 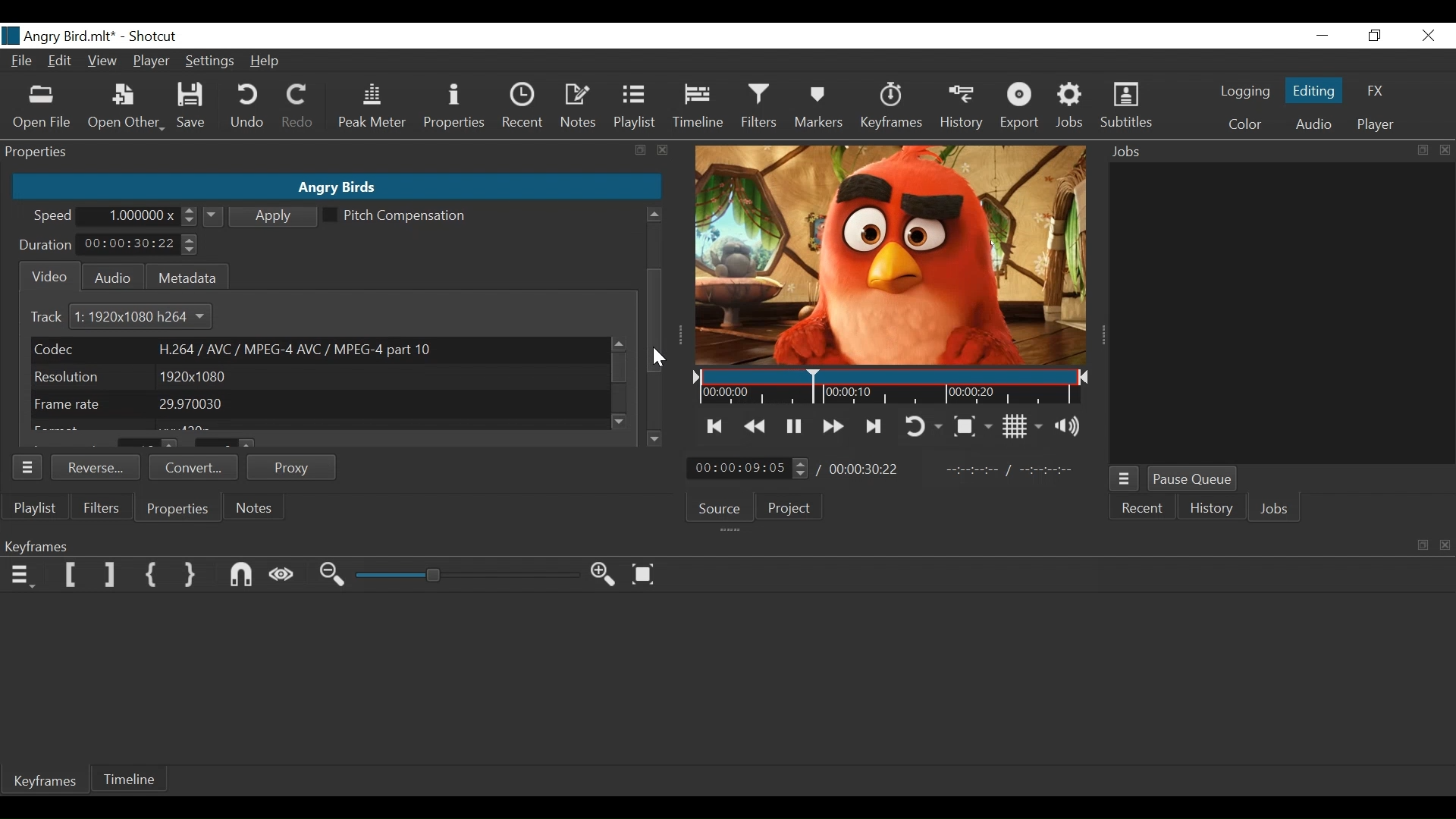 What do you see at coordinates (46, 246) in the screenshot?
I see `Duration` at bounding box center [46, 246].